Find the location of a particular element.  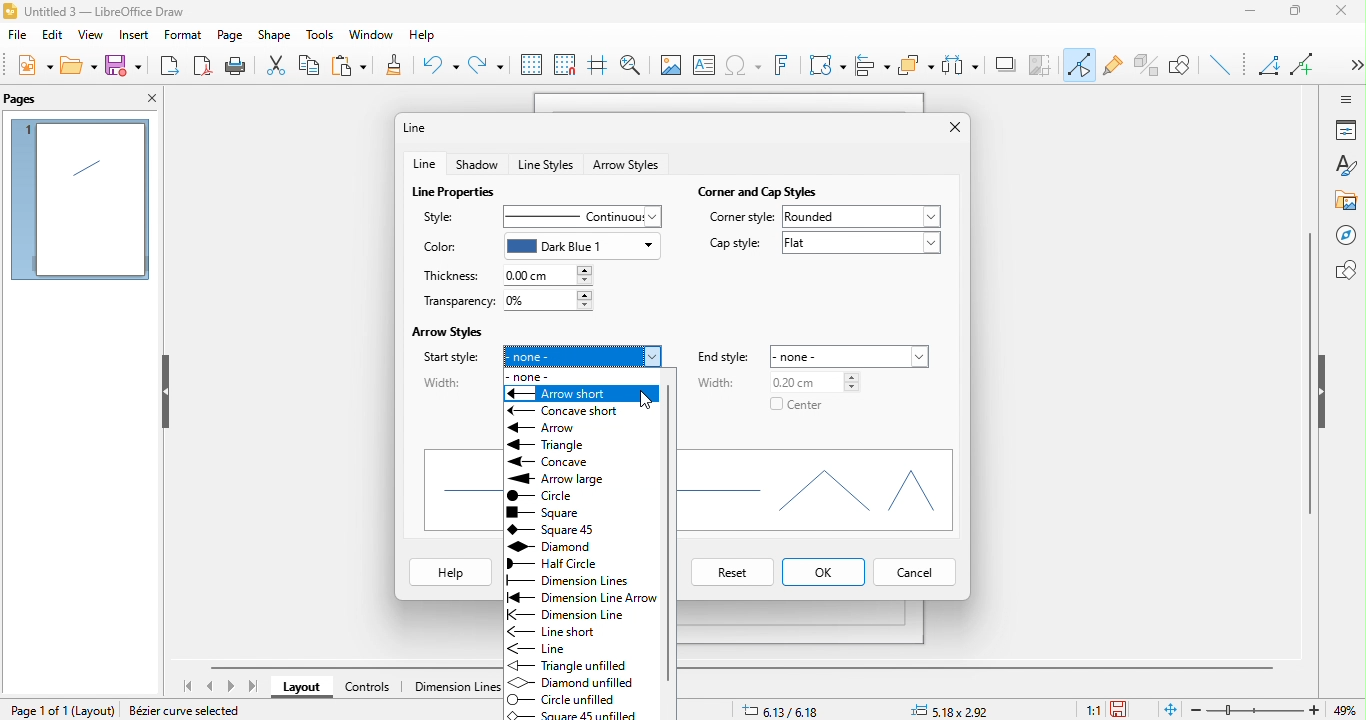

redo is located at coordinates (486, 61).